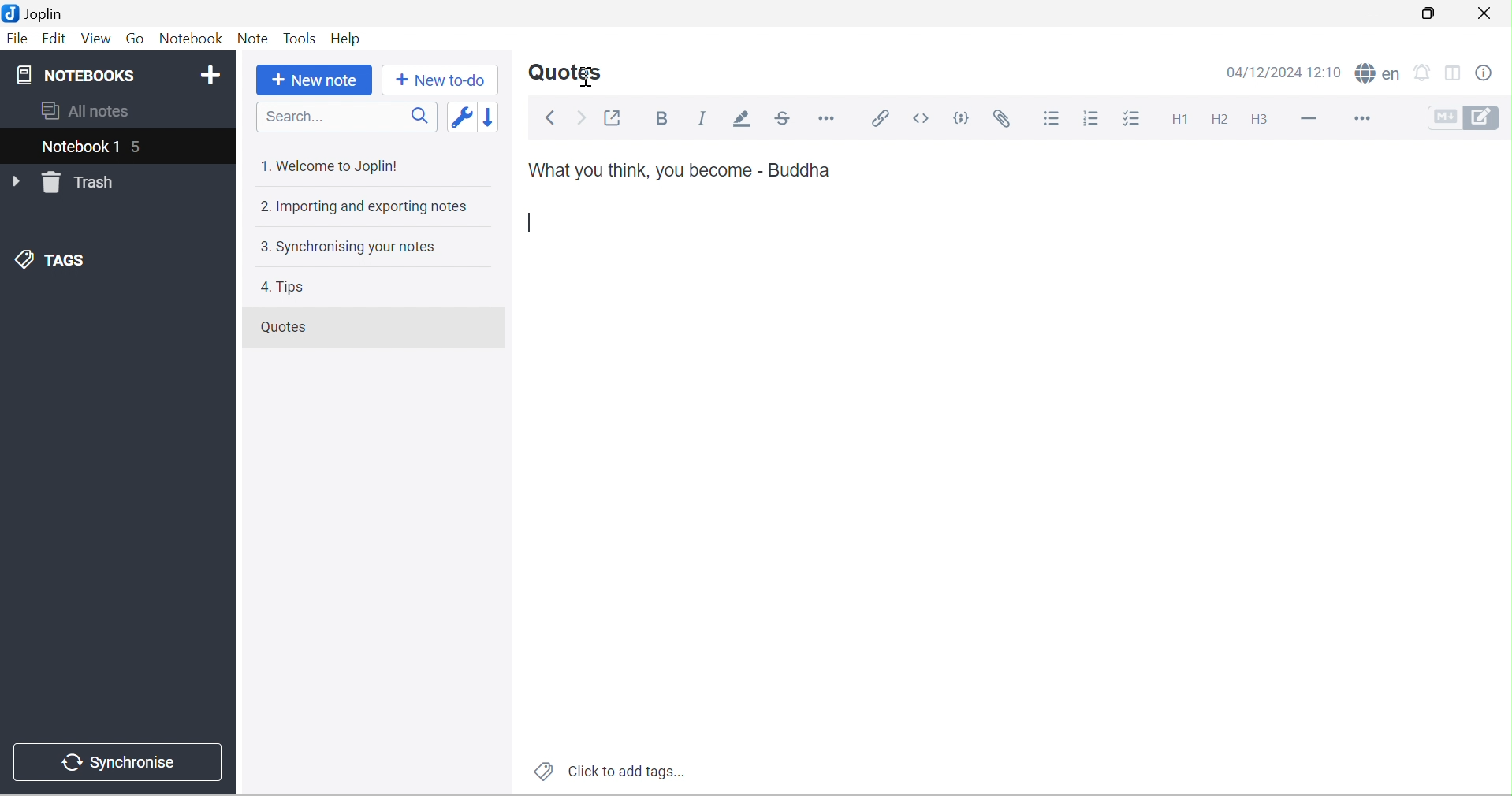 The image size is (1512, 796). Describe the element at coordinates (1130, 118) in the screenshot. I see `Checkbox list` at that location.